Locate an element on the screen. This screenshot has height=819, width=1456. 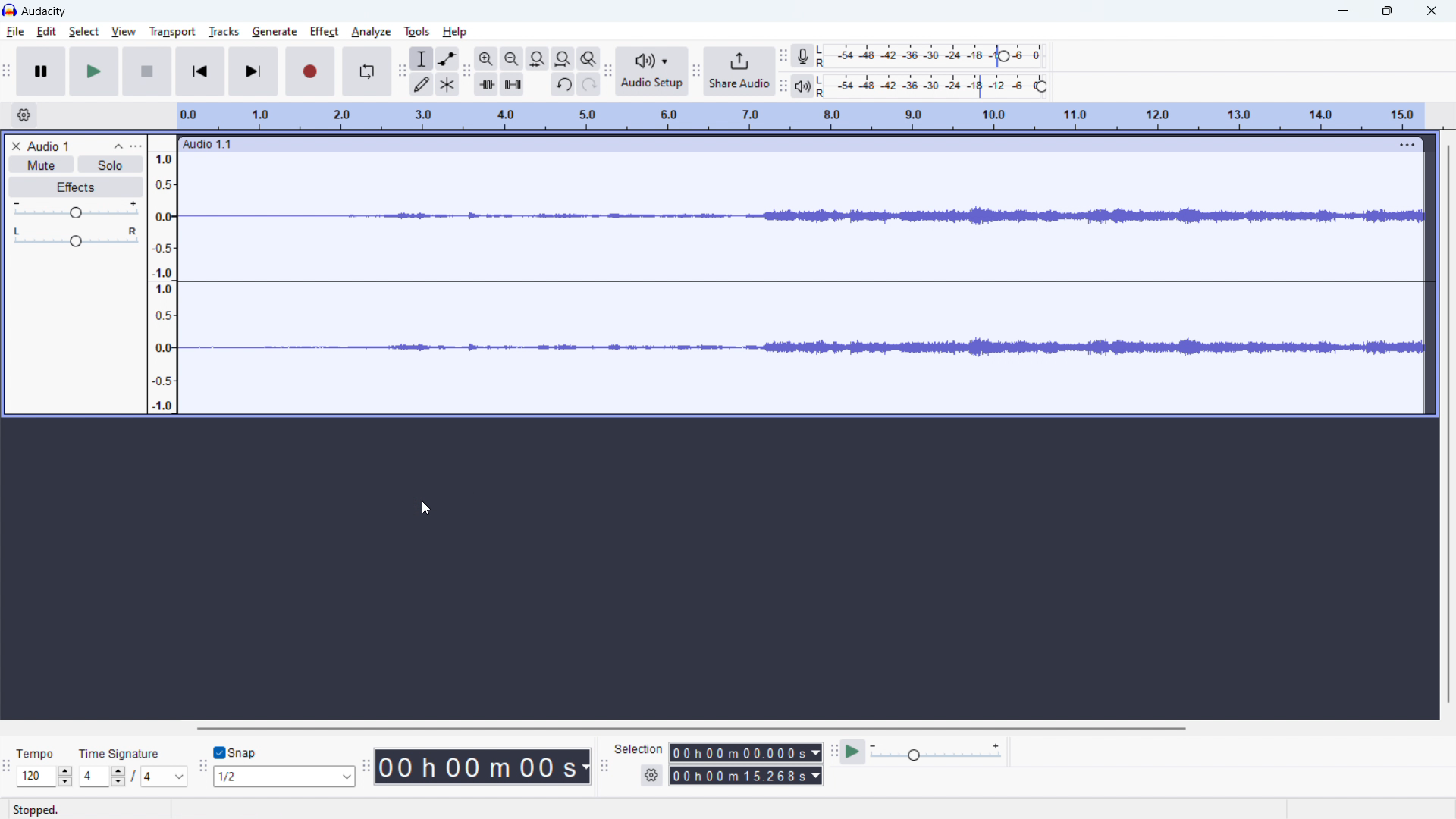
timeline settings is located at coordinates (24, 115).